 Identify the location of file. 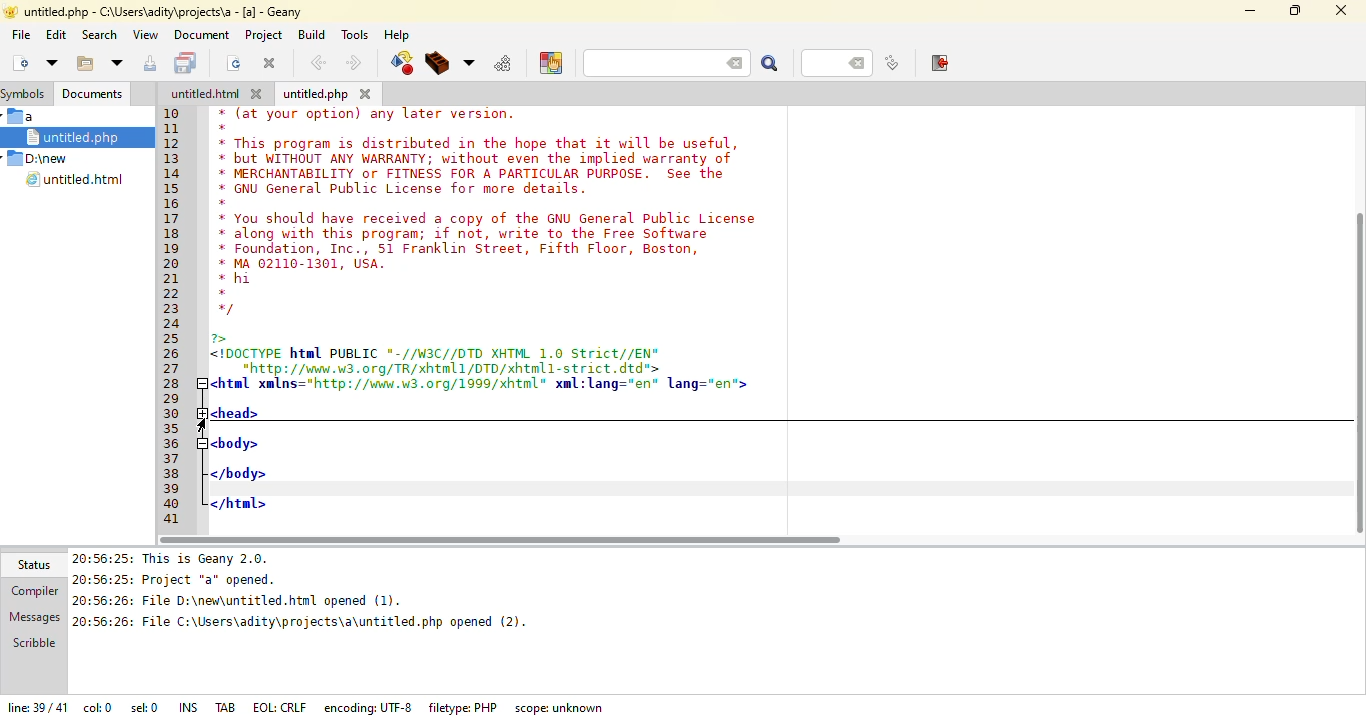
(20, 34).